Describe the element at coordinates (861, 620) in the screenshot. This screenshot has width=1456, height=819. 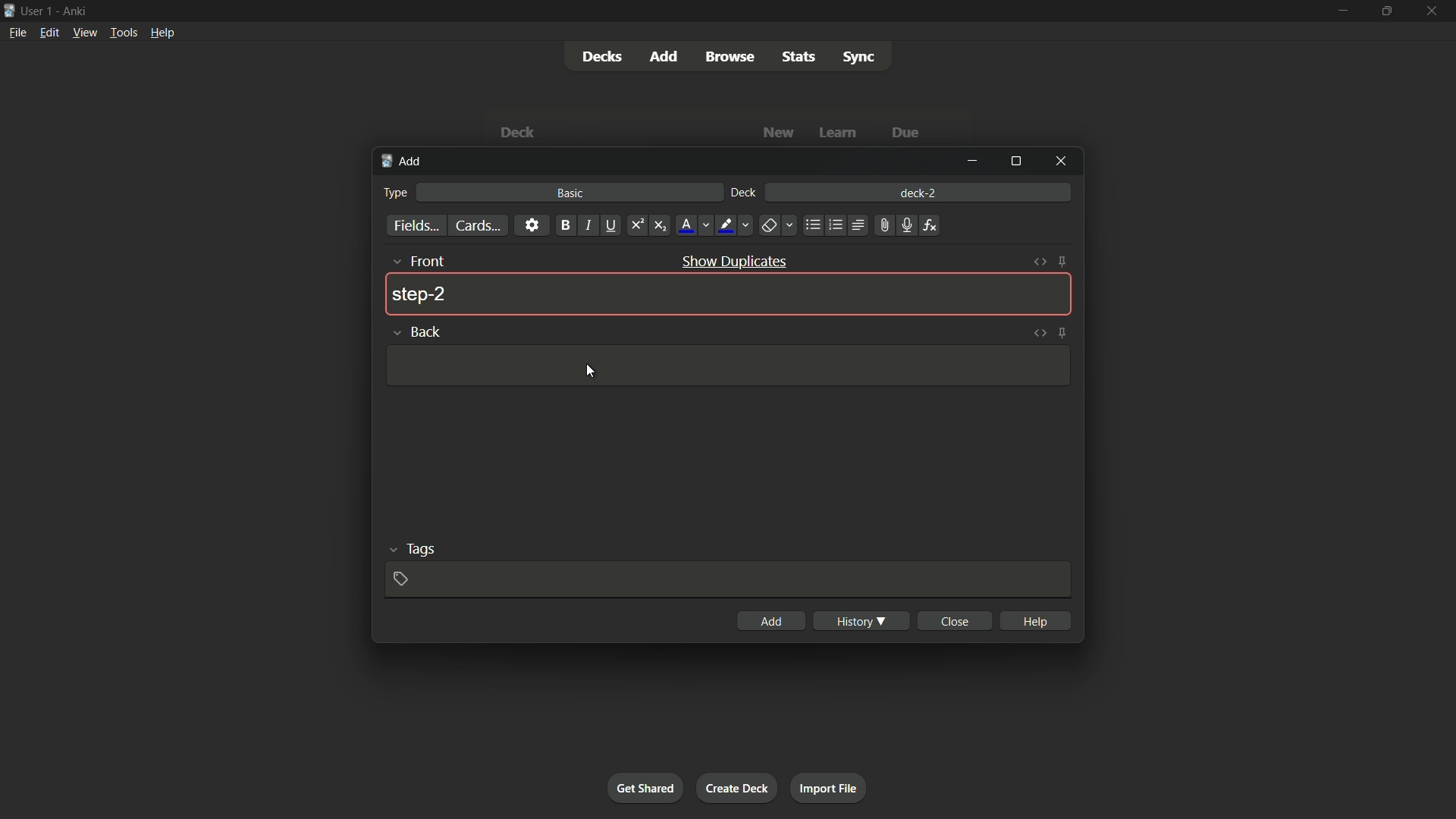
I see `history` at that location.